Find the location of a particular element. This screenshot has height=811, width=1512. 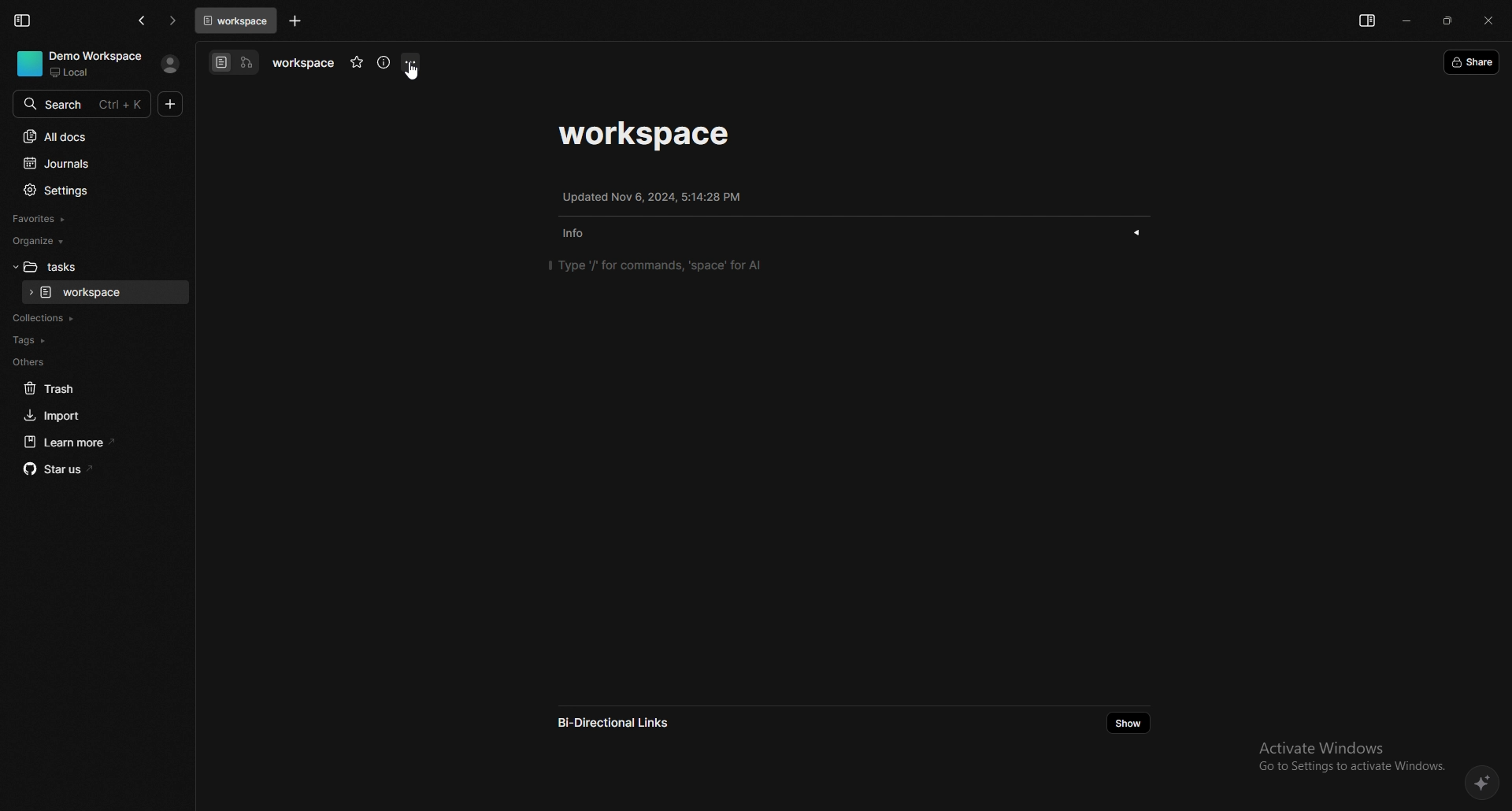

others is located at coordinates (89, 362).